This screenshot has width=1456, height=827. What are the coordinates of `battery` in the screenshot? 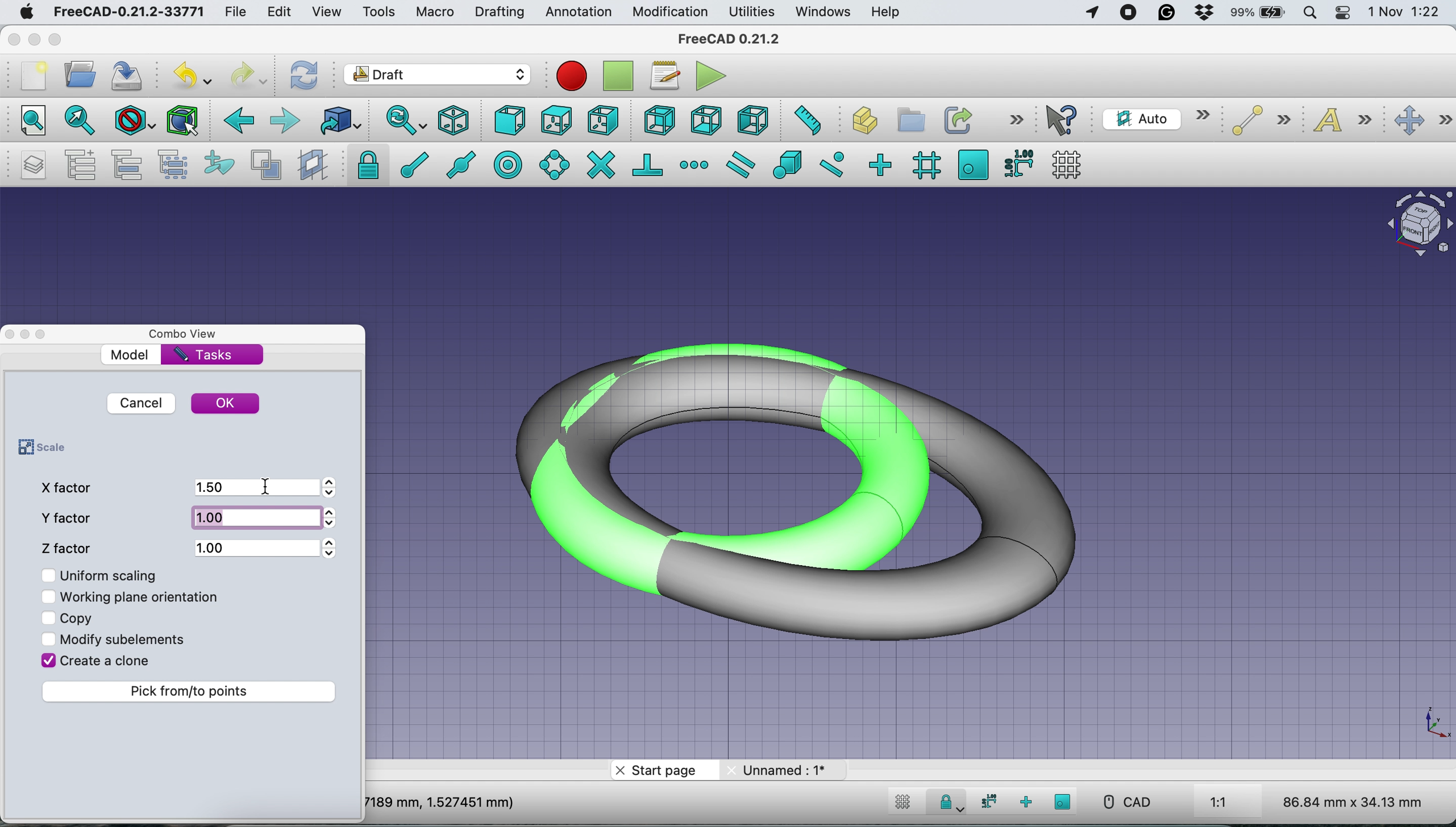 It's located at (1259, 14).